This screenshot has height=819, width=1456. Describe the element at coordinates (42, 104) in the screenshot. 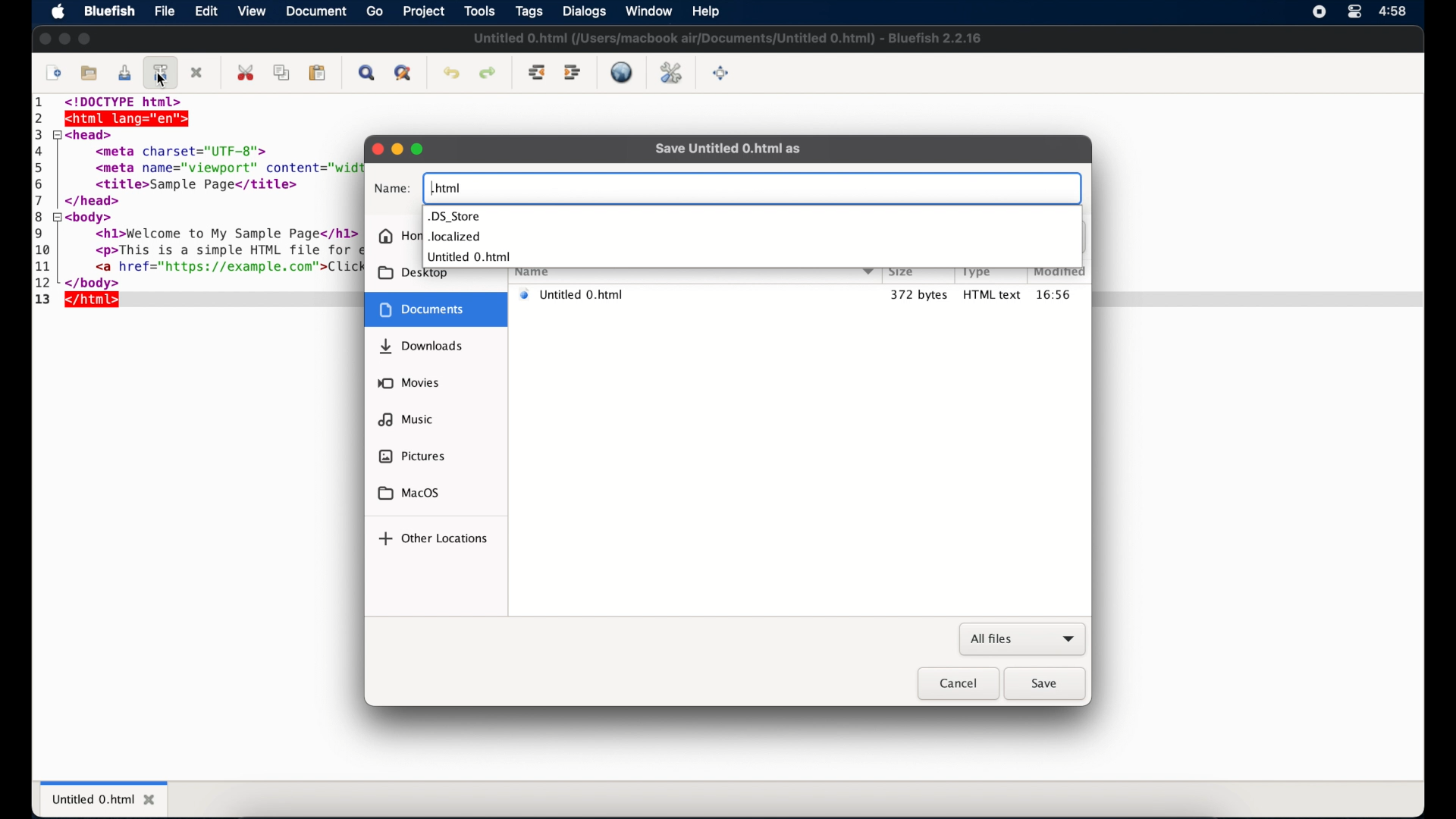

I see `1` at that location.